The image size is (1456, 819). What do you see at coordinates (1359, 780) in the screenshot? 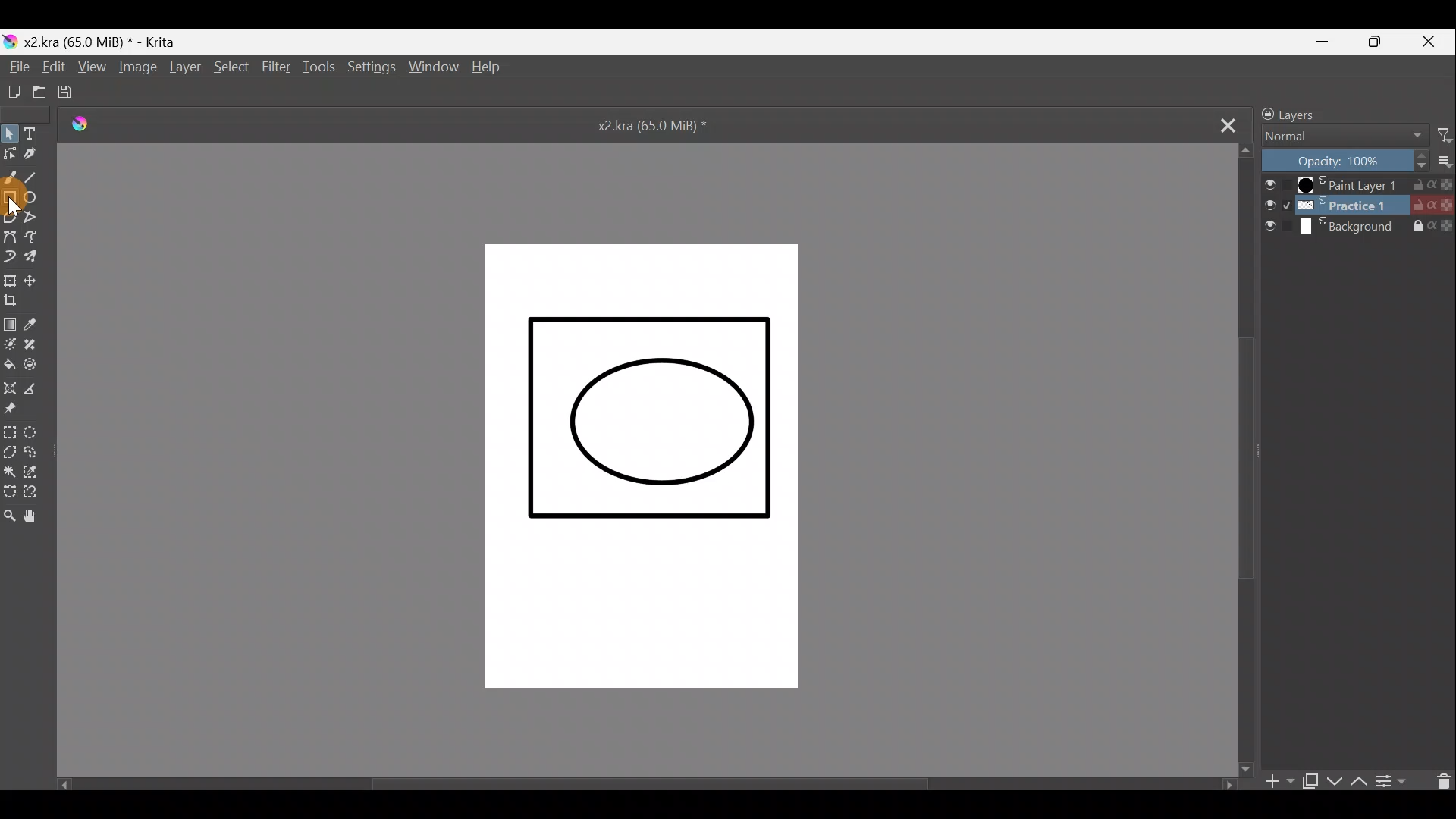
I see `Move layer/mask up` at bounding box center [1359, 780].